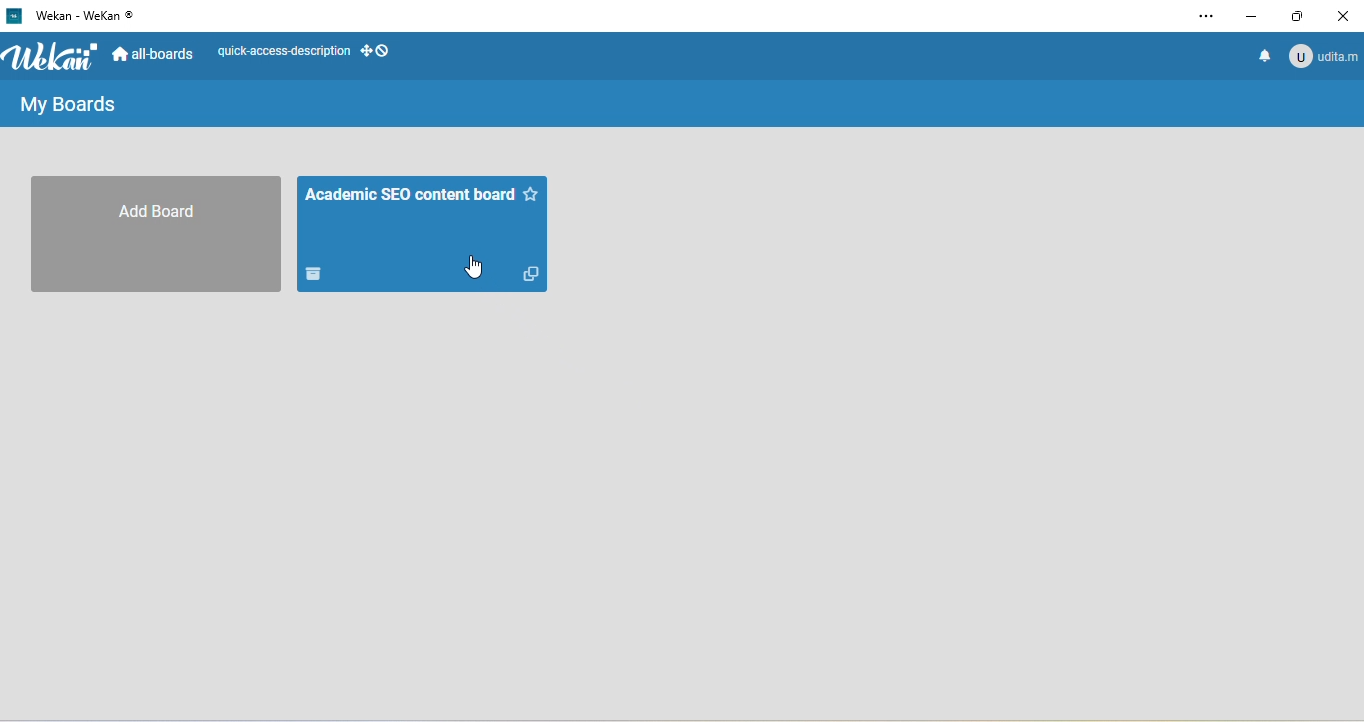  What do you see at coordinates (474, 268) in the screenshot?
I see `cursor` at bounding box center [474, 268].